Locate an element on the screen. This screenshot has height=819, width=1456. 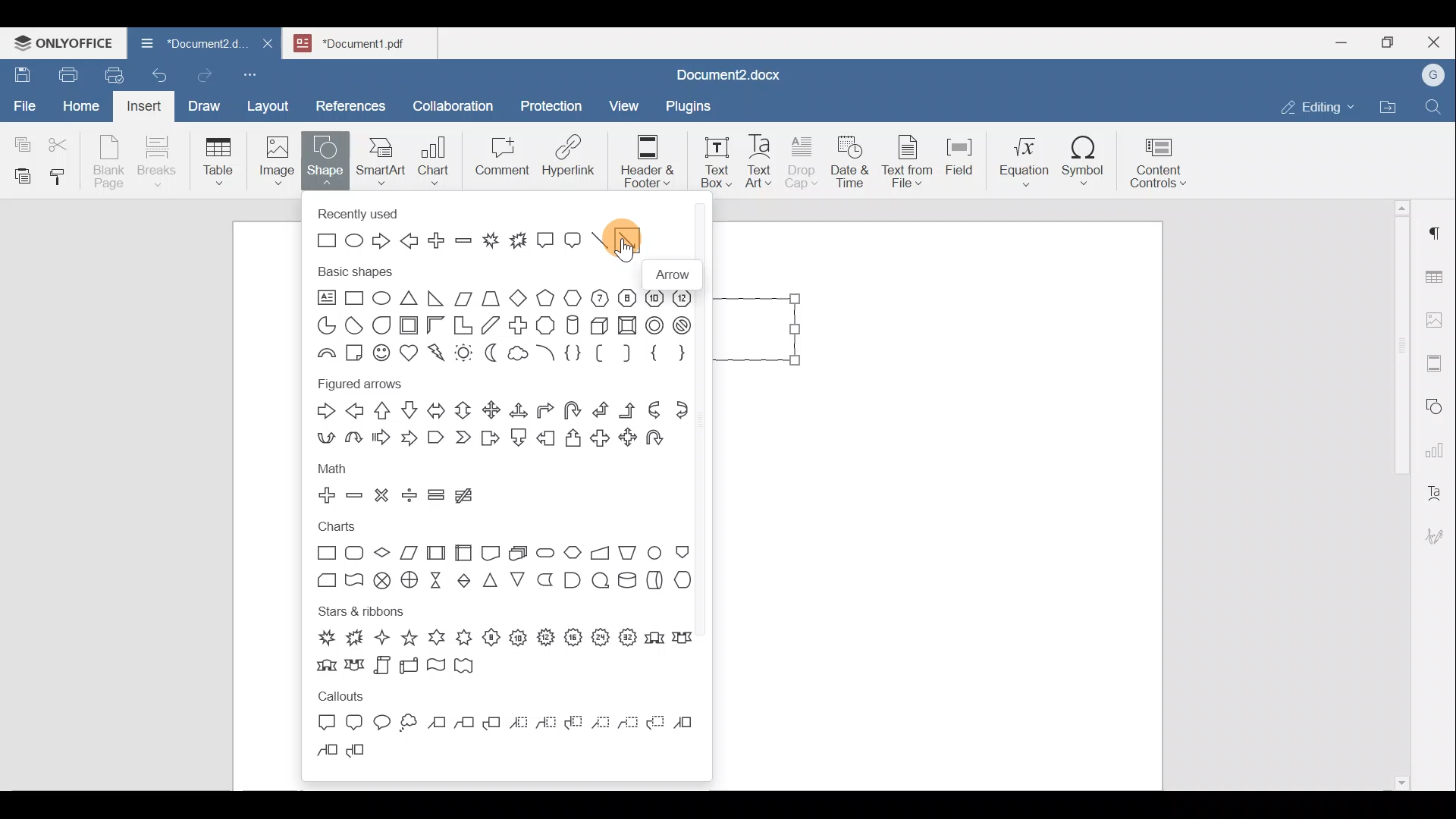
Account name is located at coordinates (1429, 76).